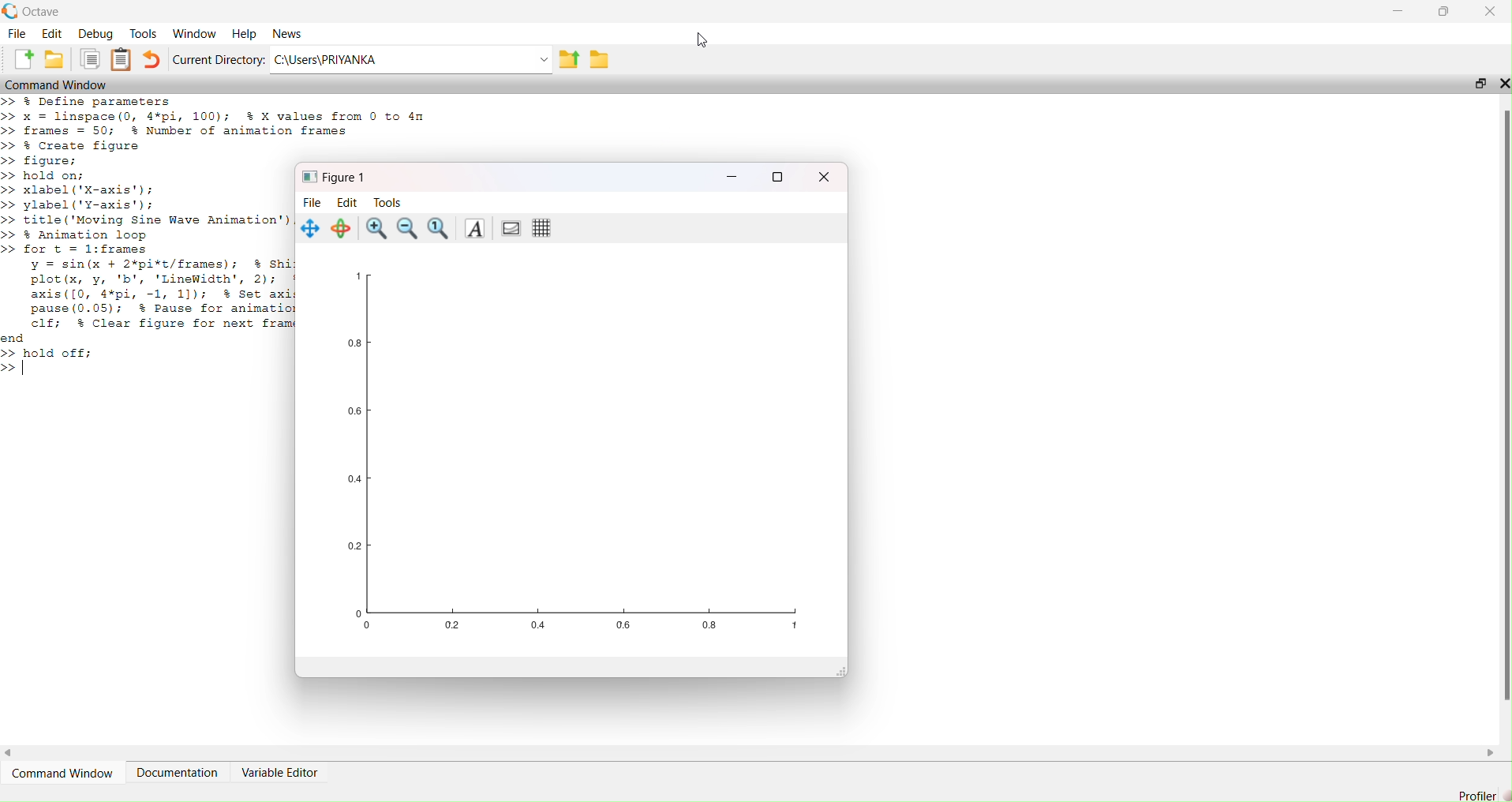  What do you see at coordinates (219, 59) in the screenshot?
I see `Current Directory:` at bounding box center [219, 59].